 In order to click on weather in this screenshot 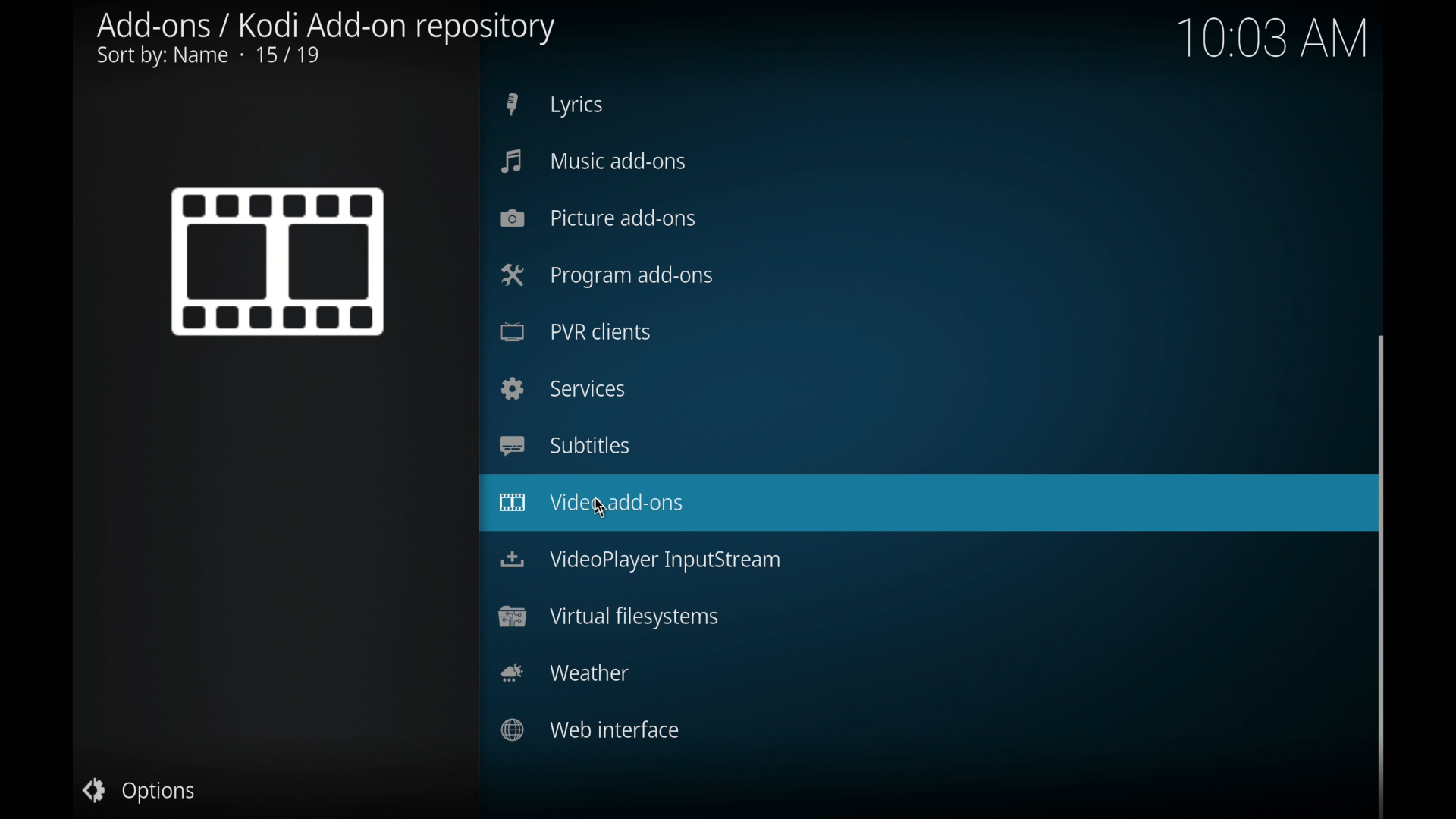, I will do `click(564, 673)`.